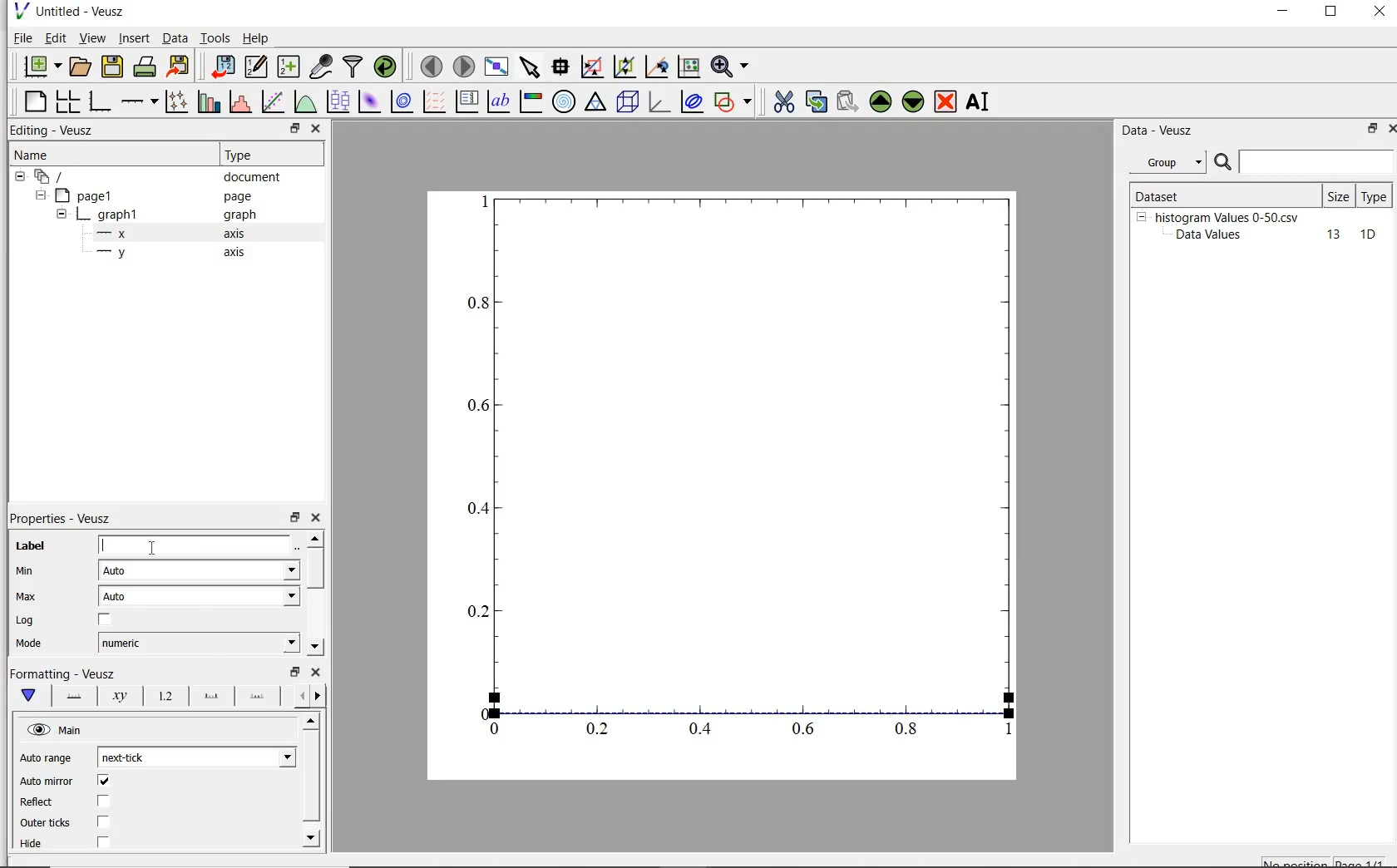  Describe the element at coordinates (73, 696) in the screenshot. I see `axis line` at that location.